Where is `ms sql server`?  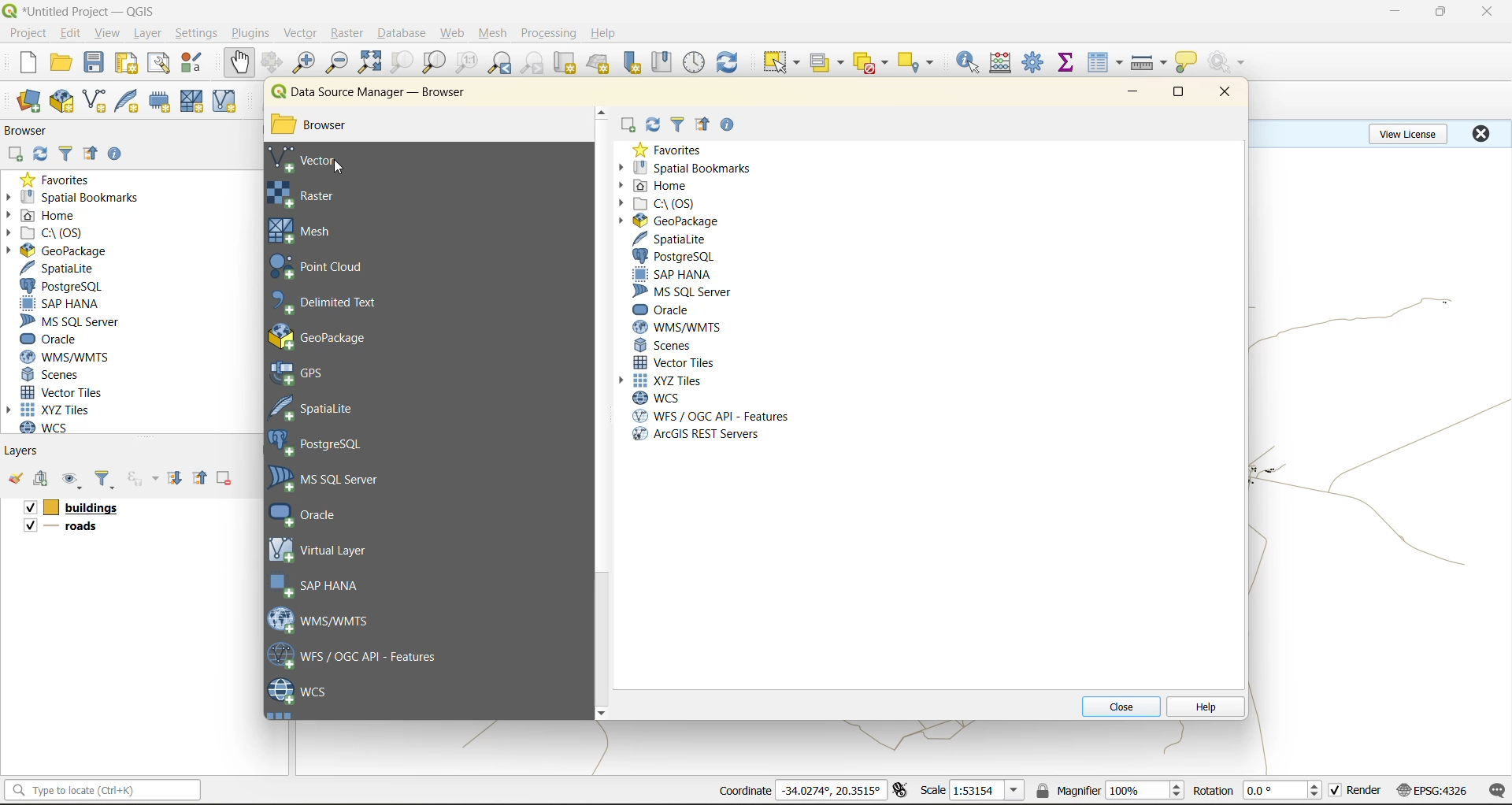
ms sql server is located at coordinates (334, 479).